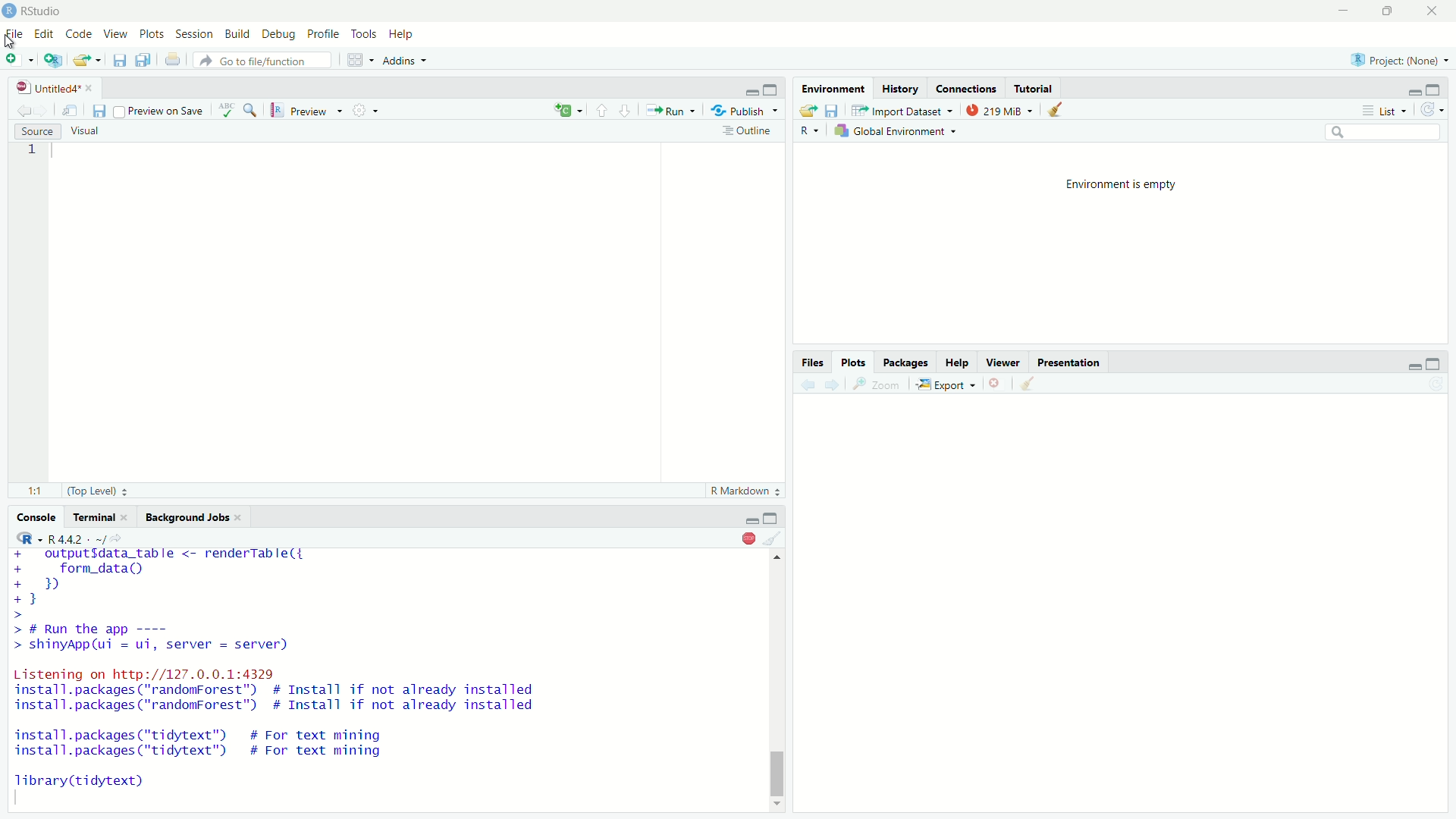 This screenshot has width=1456, height=819. I want to click on packages, so click(906, 362).